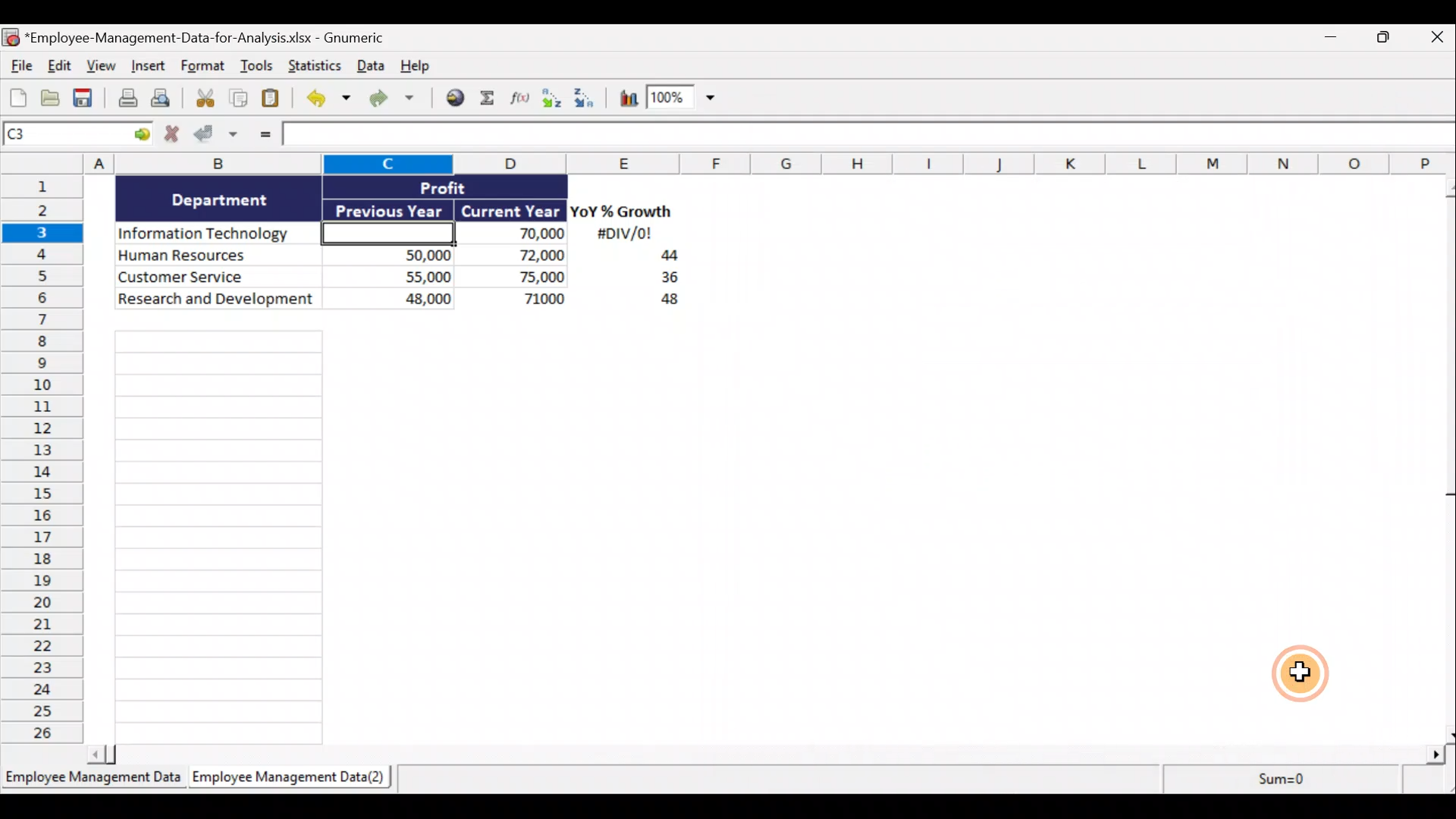 Image resolution: width=1456 pixels, height=819 pixels. I want to click on Insert hyperlink, so click(457, 98).